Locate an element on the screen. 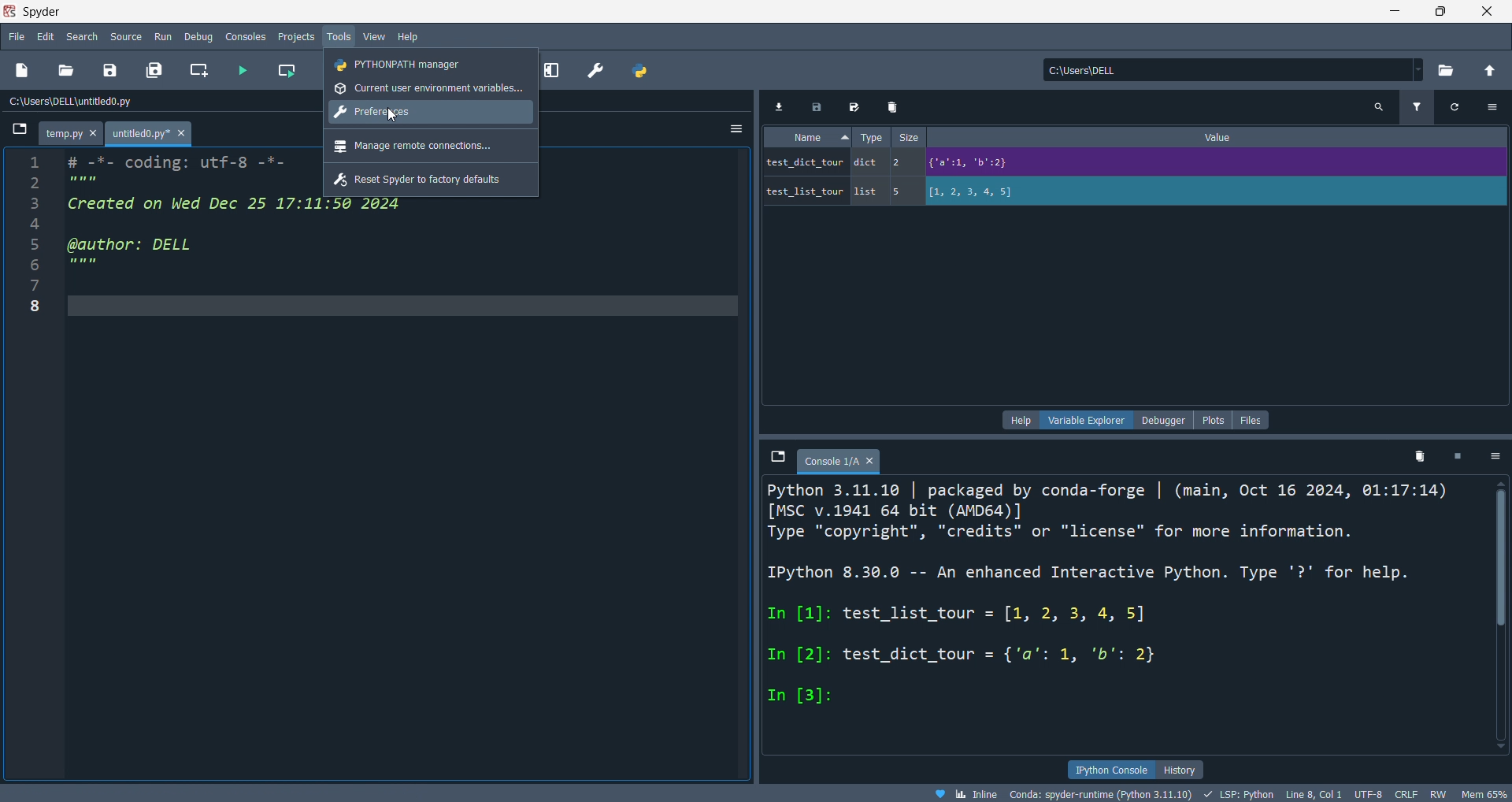  python path manager is located at coordinates (429, 61).